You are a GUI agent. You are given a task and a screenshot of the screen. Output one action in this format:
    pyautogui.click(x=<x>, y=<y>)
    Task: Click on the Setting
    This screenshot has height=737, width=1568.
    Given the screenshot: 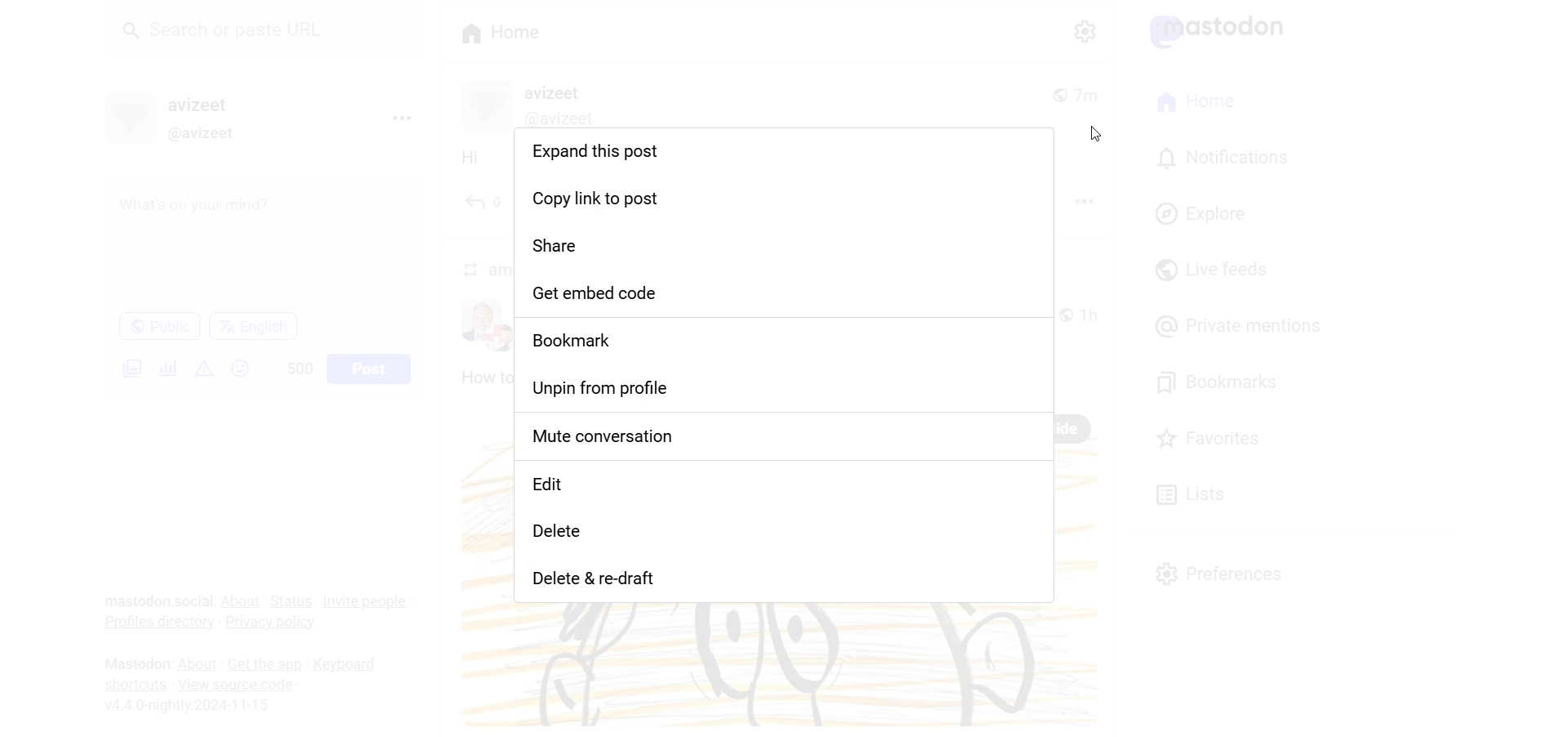 What is the action you would take?
    pyautogui.click(x=1082, y=30)
    